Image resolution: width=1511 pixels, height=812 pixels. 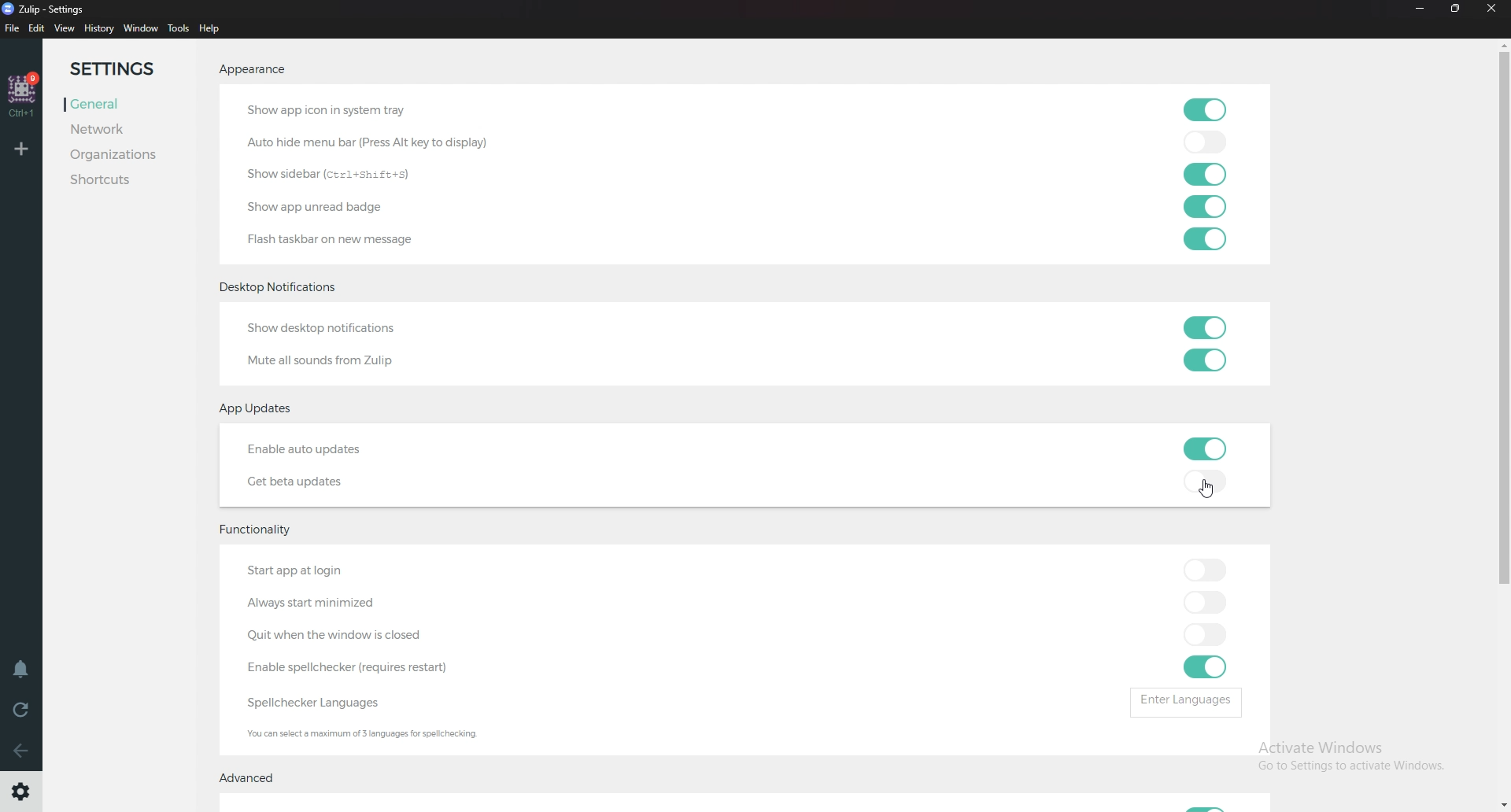 I want to click on toggle, so click(x=1204, y=329).